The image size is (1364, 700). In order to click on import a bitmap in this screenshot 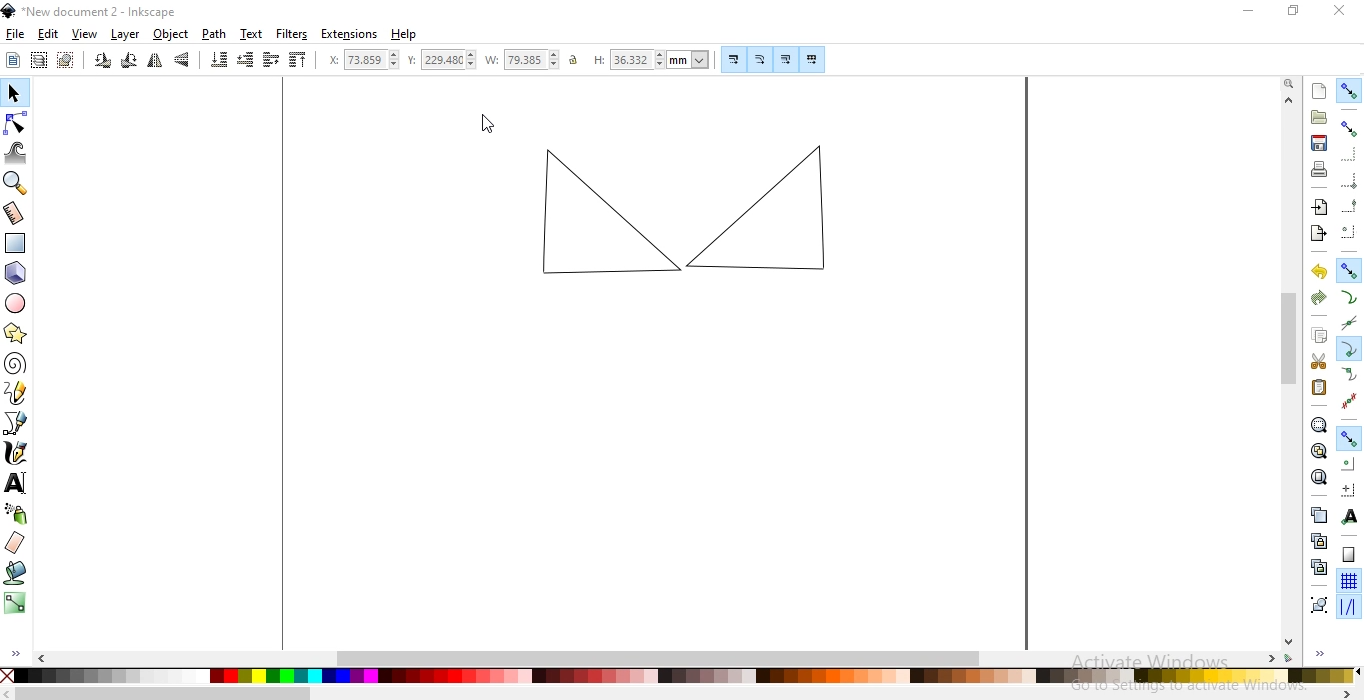, I will do `click(1319, 207)`.